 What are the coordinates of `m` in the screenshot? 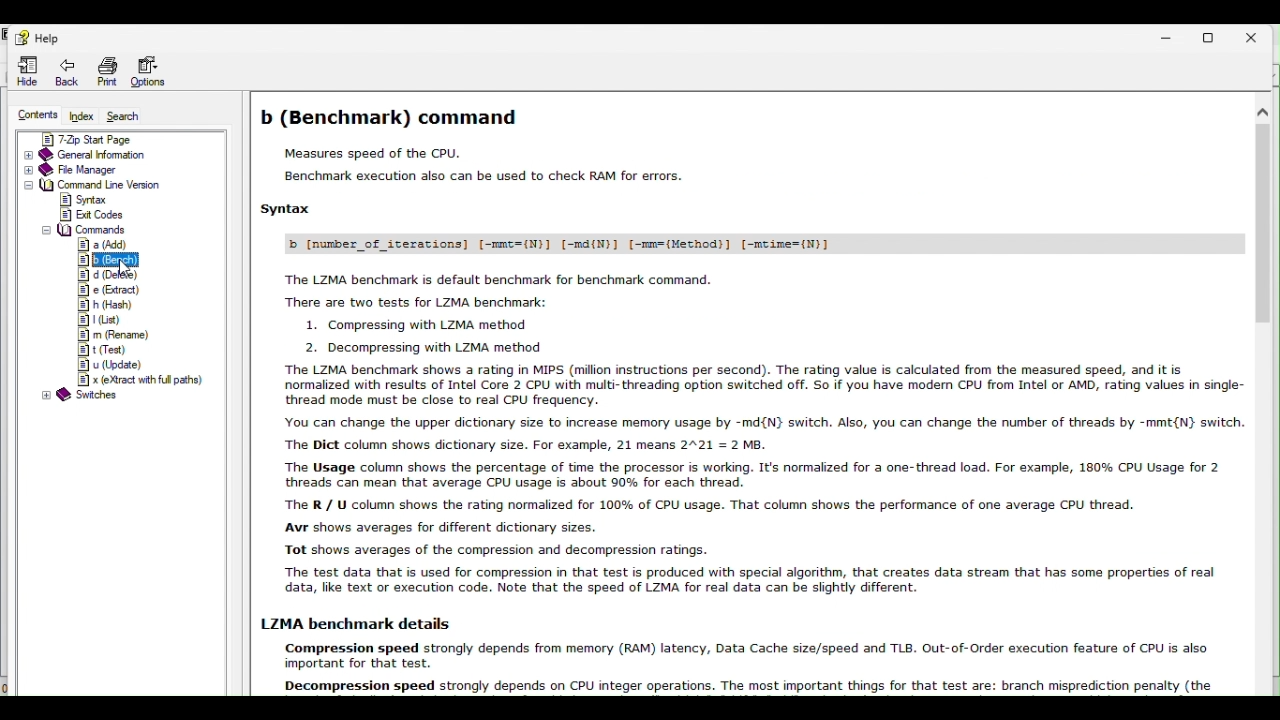 It's located at (117, 336).